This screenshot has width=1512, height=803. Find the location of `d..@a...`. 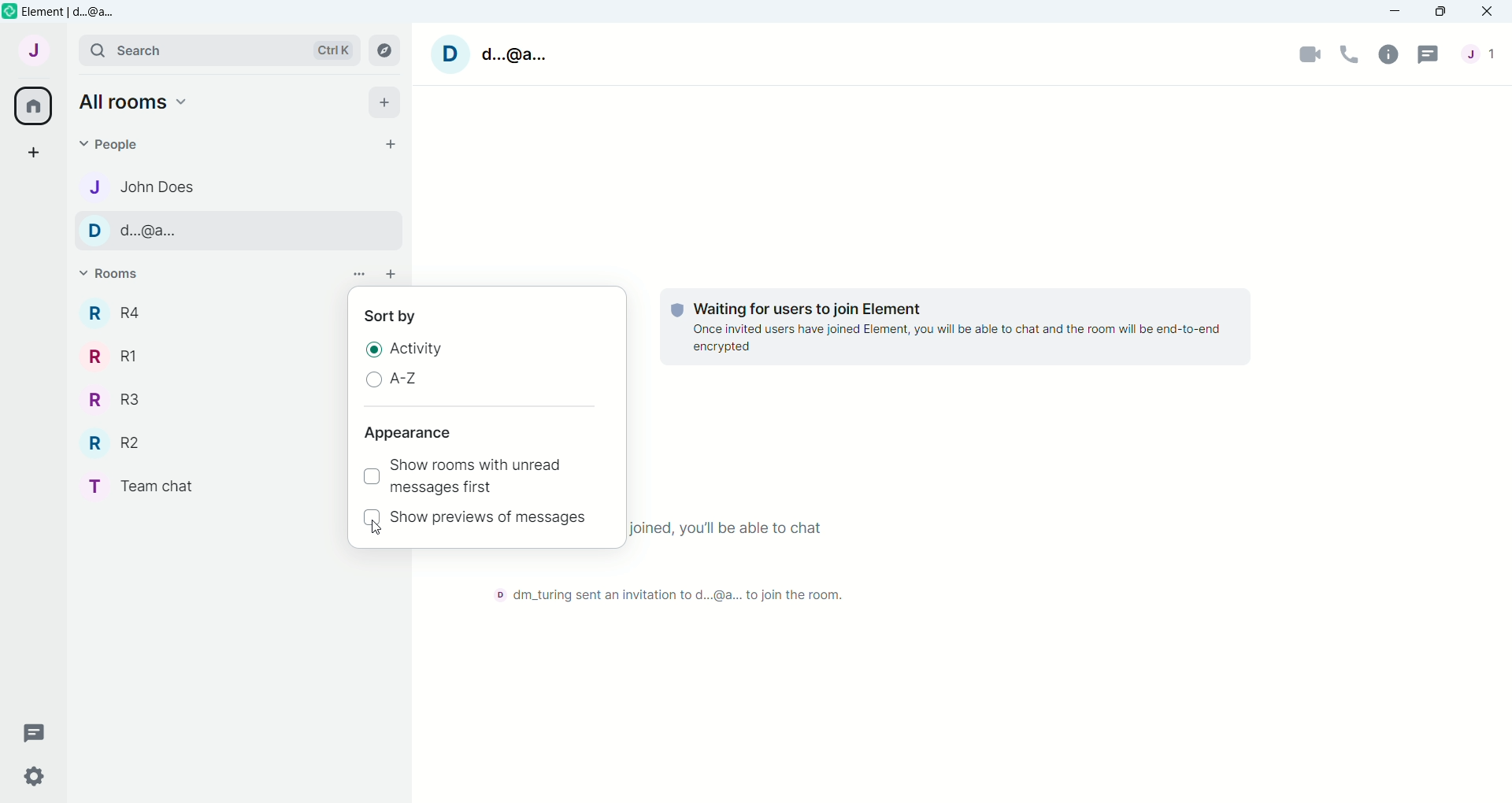

d..@a... is located at coordinates (516, 56).